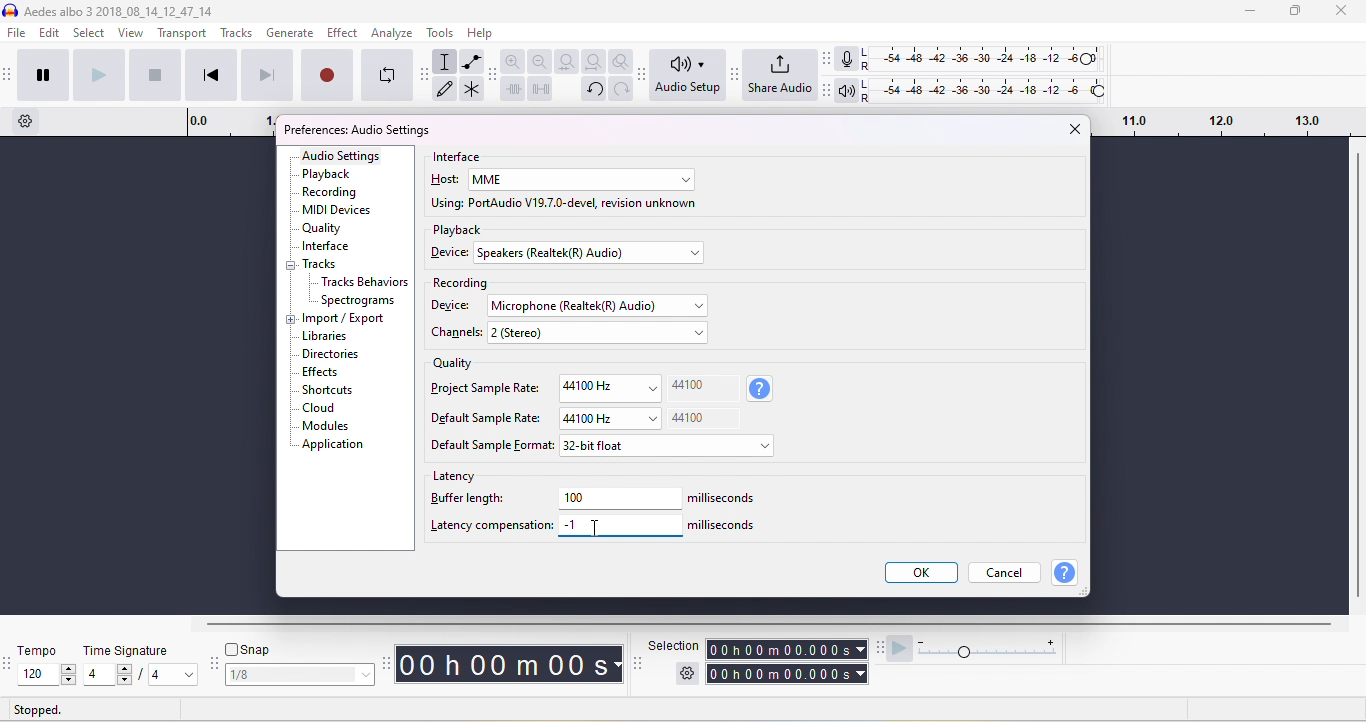  Describe the element at coordinates (860, 649) in the screenshot. I see `select time parameter` at that location.